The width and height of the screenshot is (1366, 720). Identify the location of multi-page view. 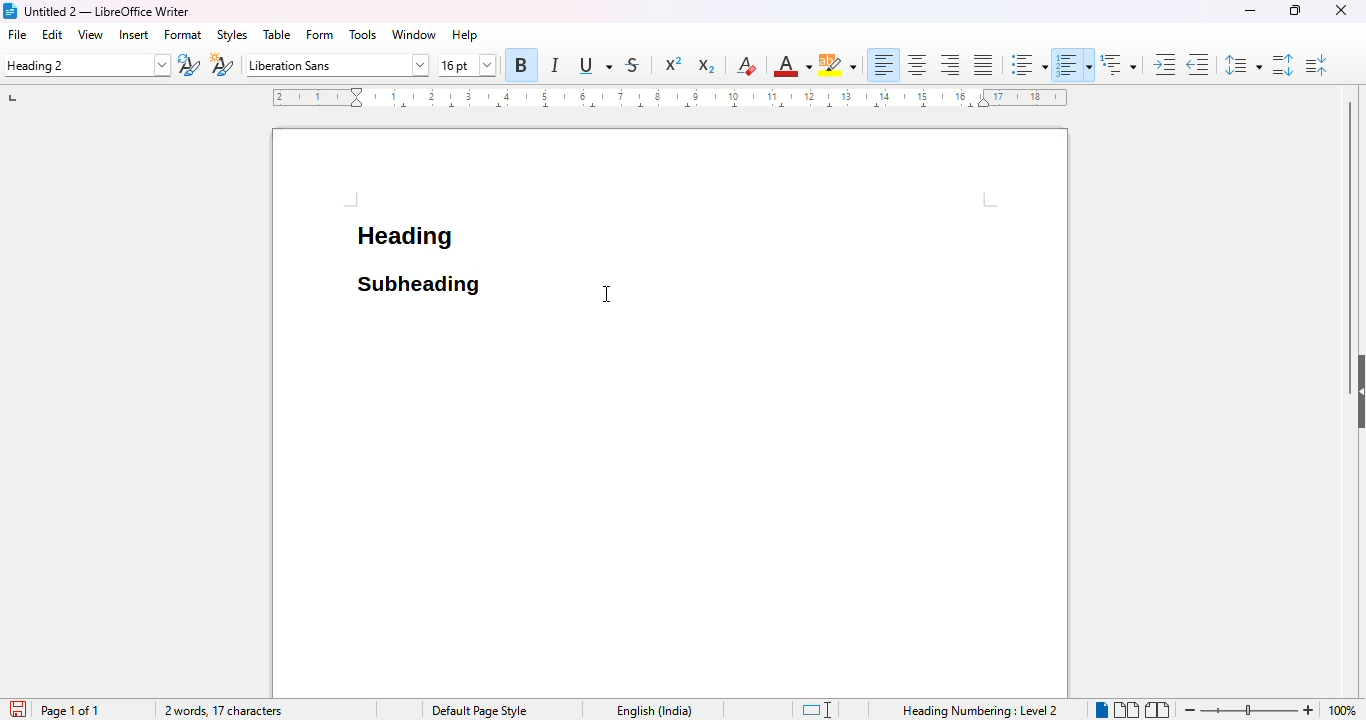
(1128, 710).